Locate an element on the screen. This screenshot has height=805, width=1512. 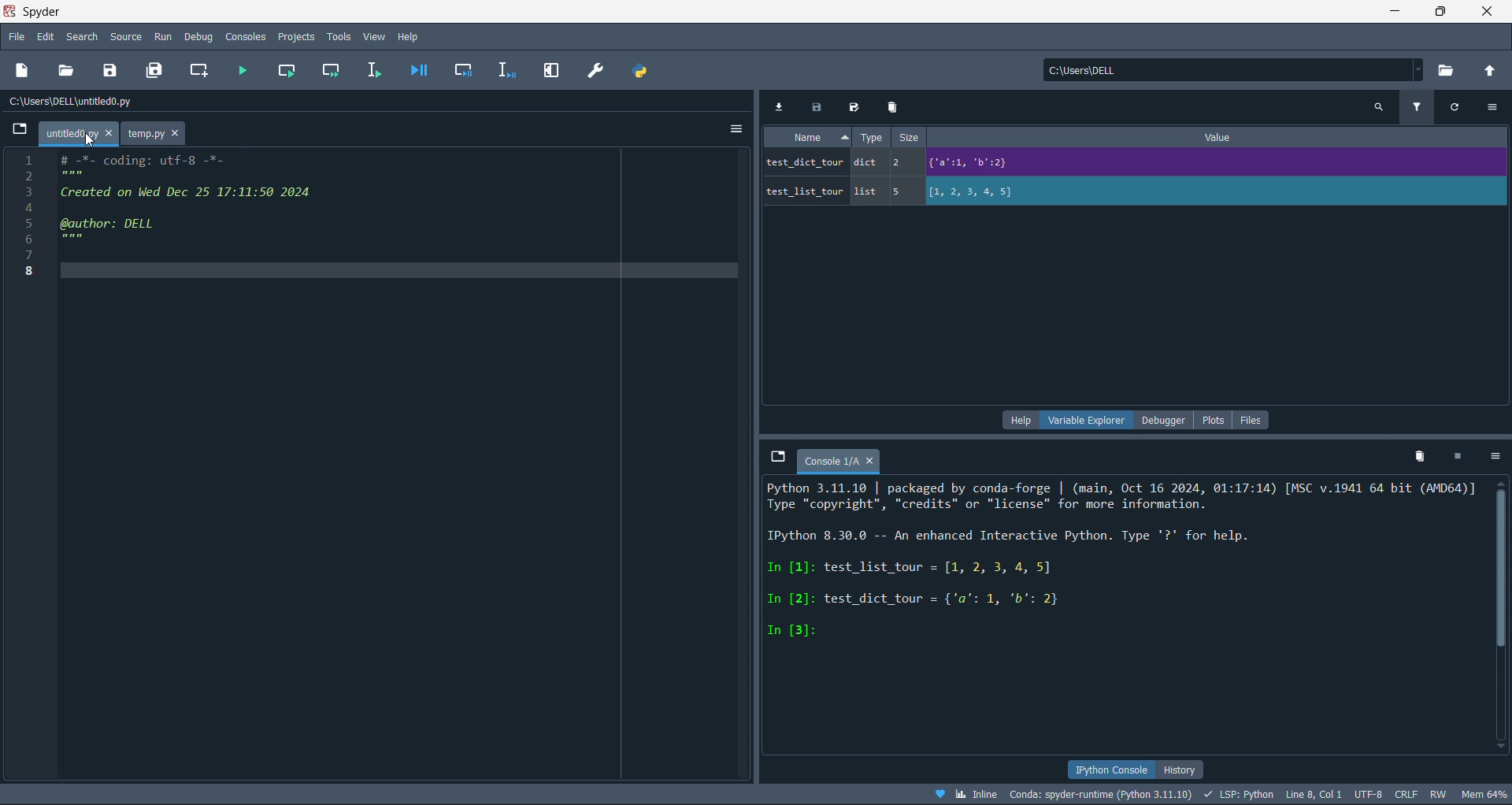
run cell and move is located at coordinates (332, 69).